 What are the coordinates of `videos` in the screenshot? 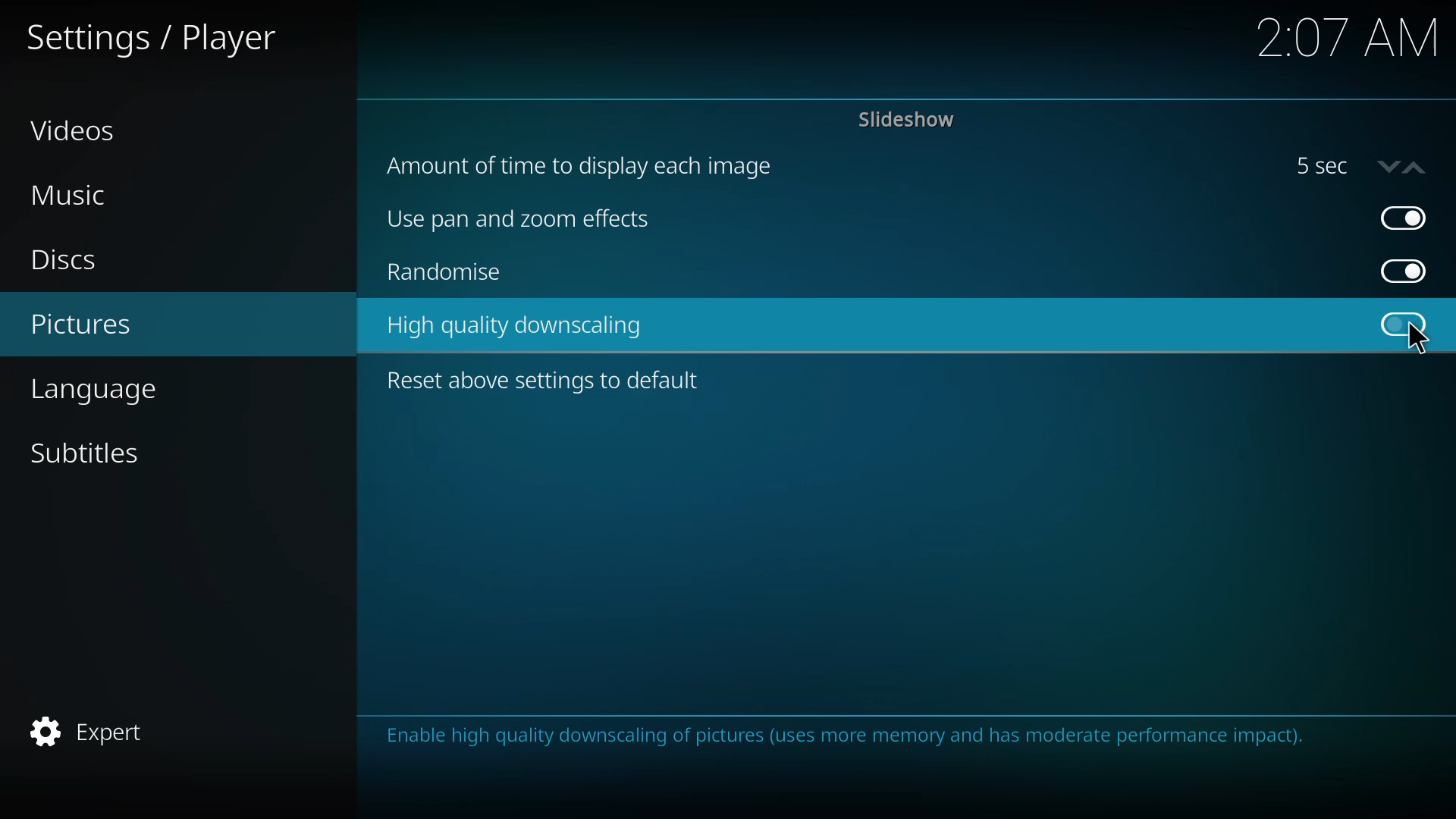 It's located at (76, 130).